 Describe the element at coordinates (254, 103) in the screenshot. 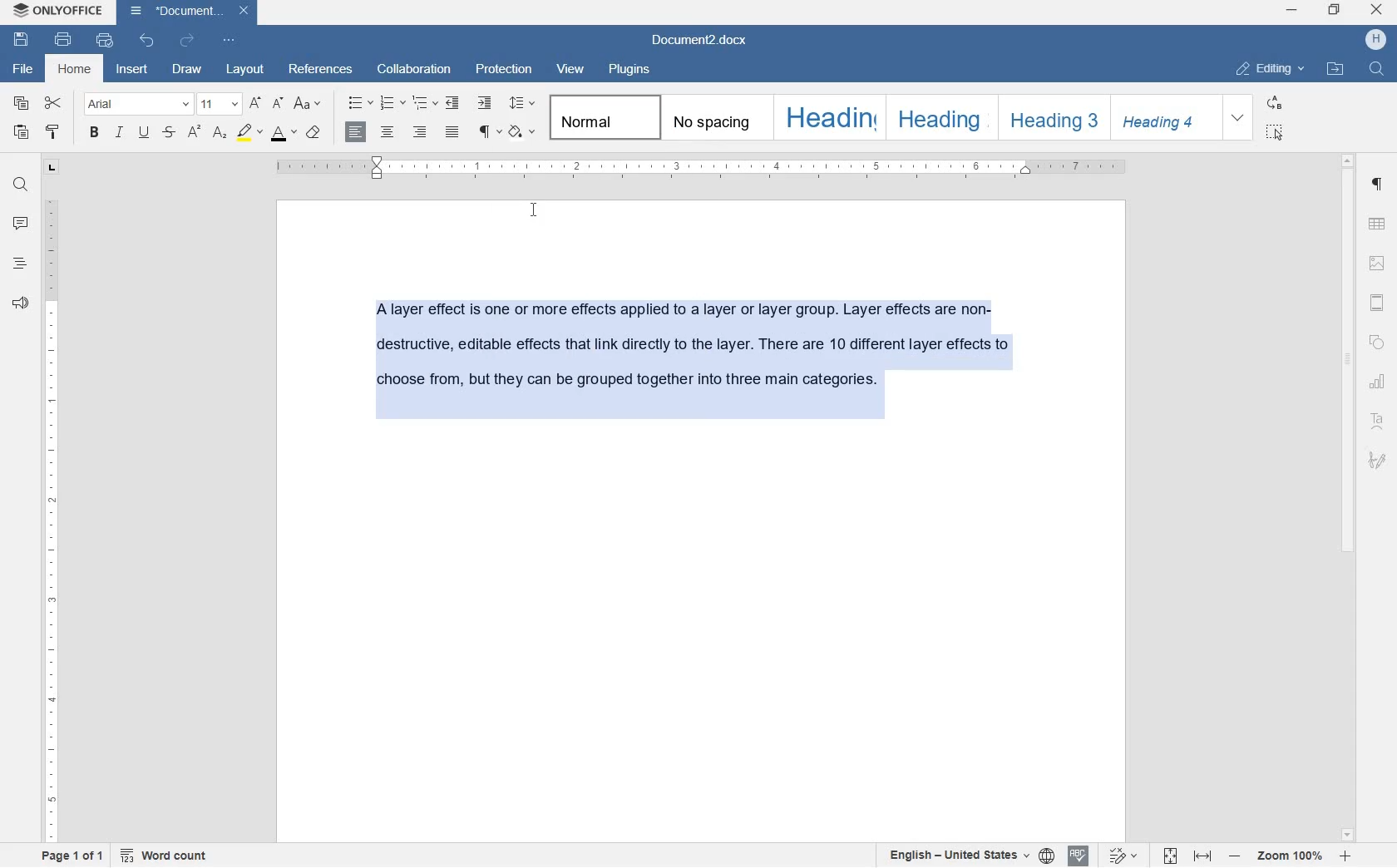

I see `increment font size` at that location.